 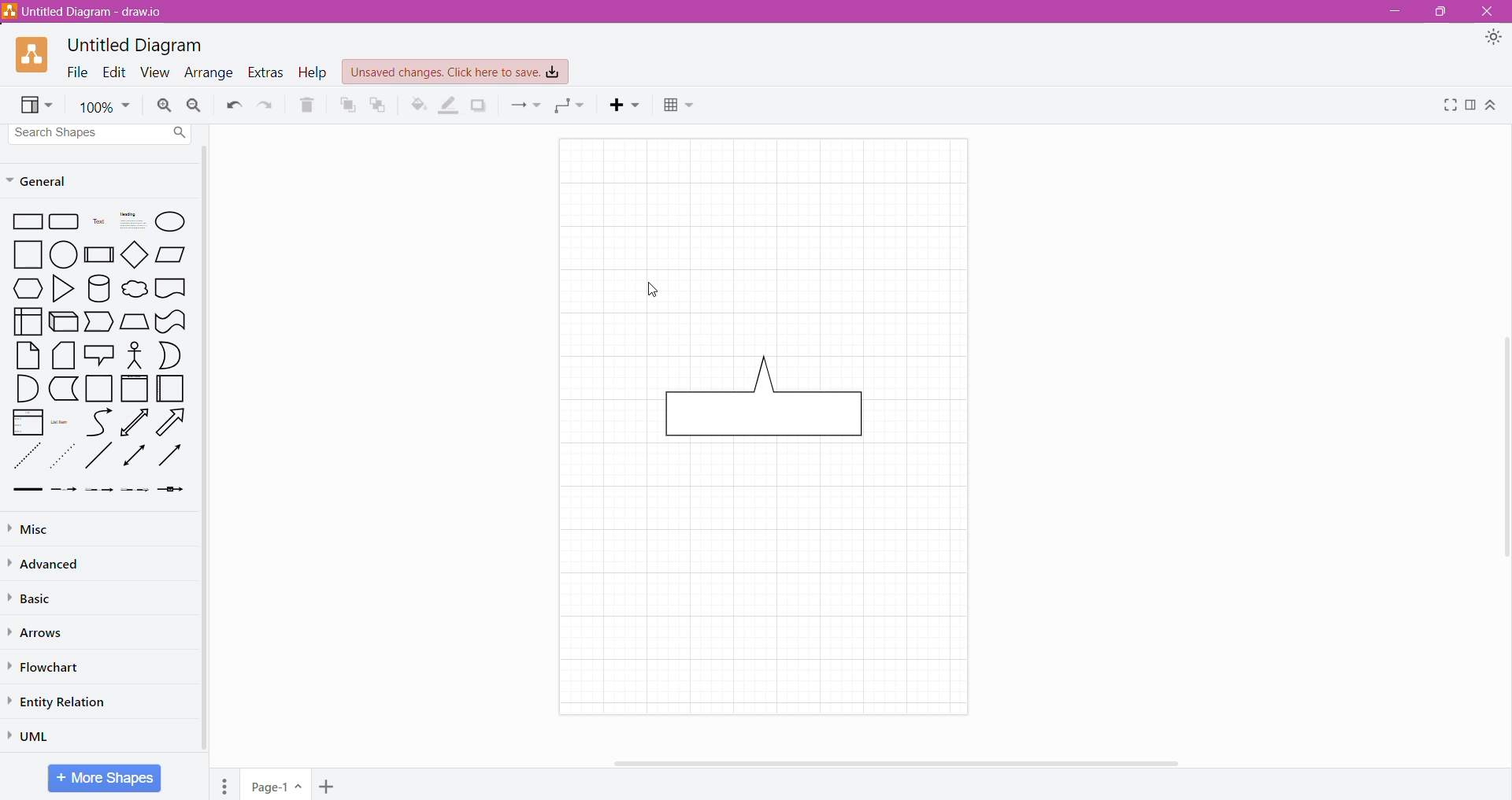 What do you see at coordinates (64, 491) in the screenshot?
I see `Dashed Arrow` at bounding box center [64, 491].